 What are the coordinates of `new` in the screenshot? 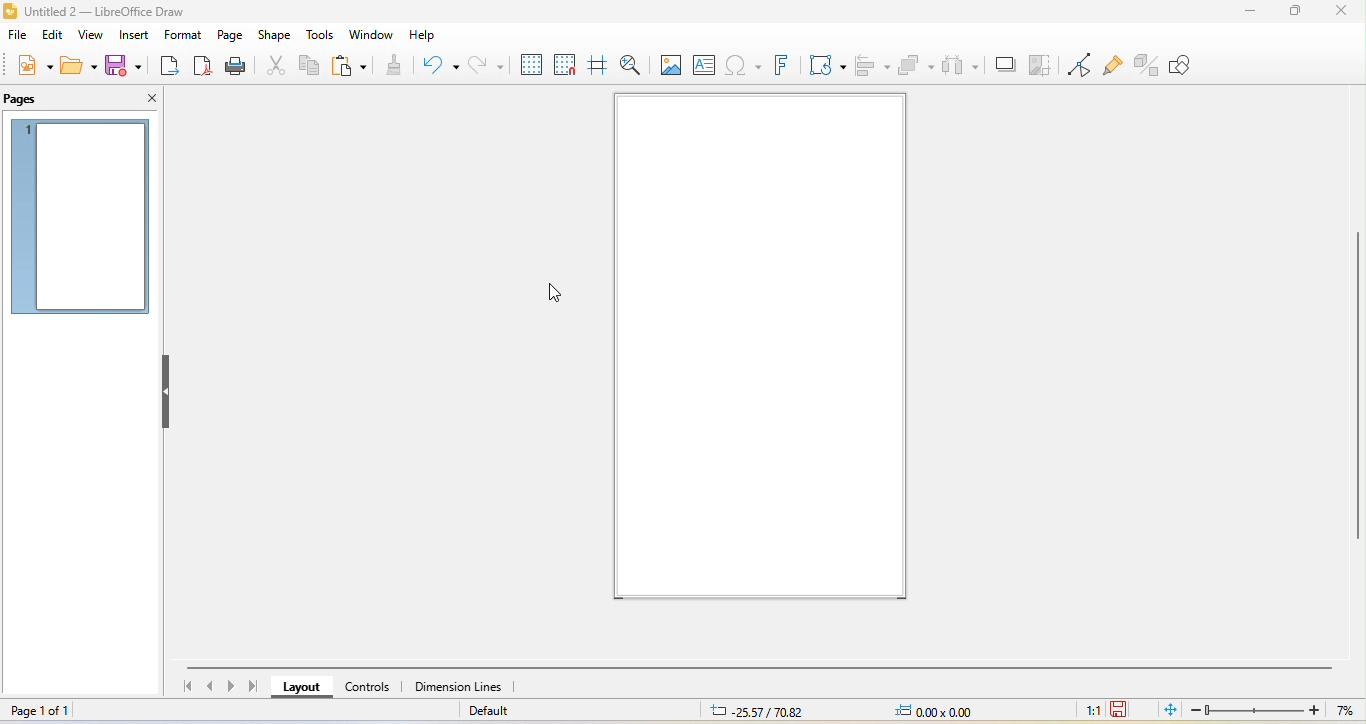 It's located at (32, 66).